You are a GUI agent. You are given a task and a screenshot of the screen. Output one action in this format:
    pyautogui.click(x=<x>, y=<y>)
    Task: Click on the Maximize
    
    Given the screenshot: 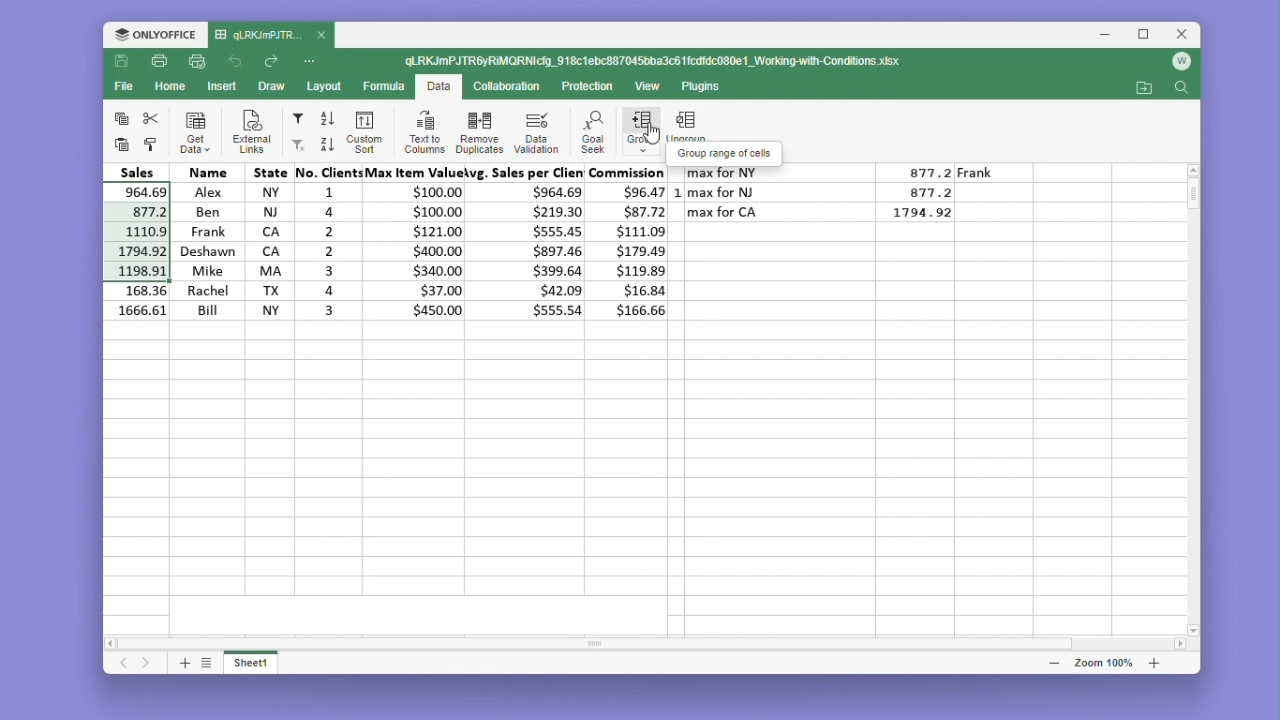 What is the action you would take?
    pyautogui.click(x=1148, y=35)
    